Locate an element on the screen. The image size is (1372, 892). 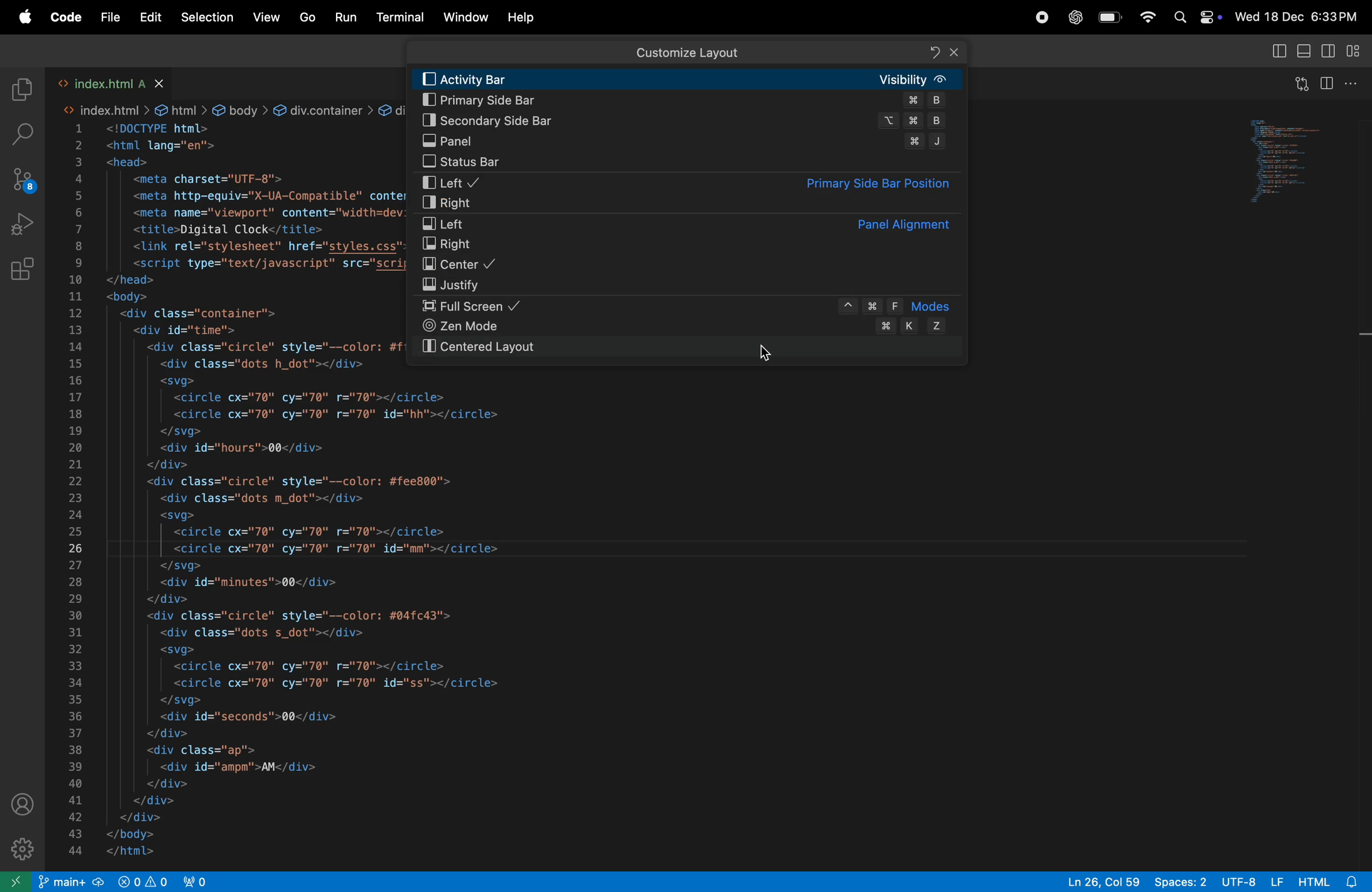
cursor is located at coordinates (766, 353).